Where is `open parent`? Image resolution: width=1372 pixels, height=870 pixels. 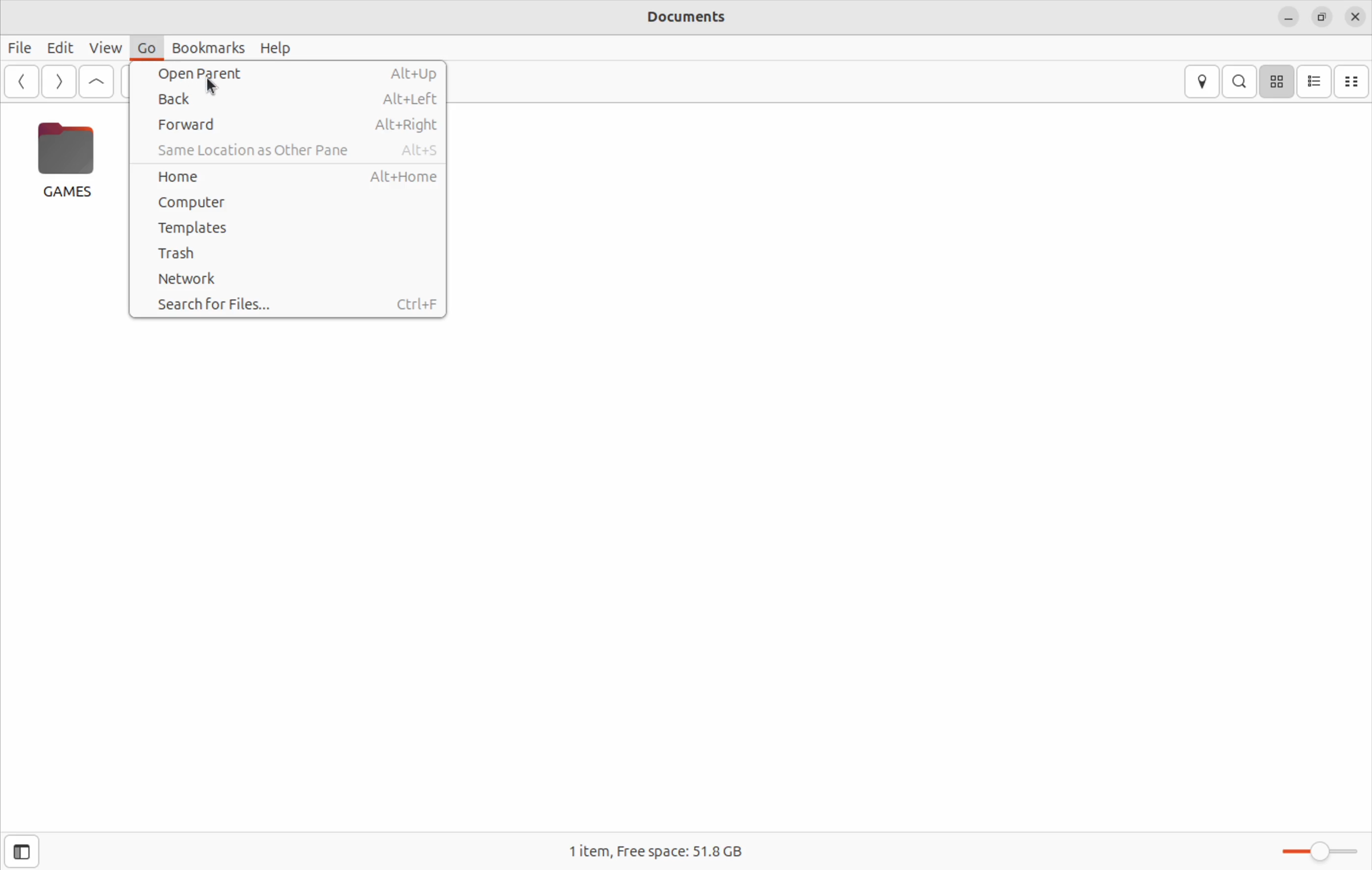 open parent is located at coordinates (296, 74).